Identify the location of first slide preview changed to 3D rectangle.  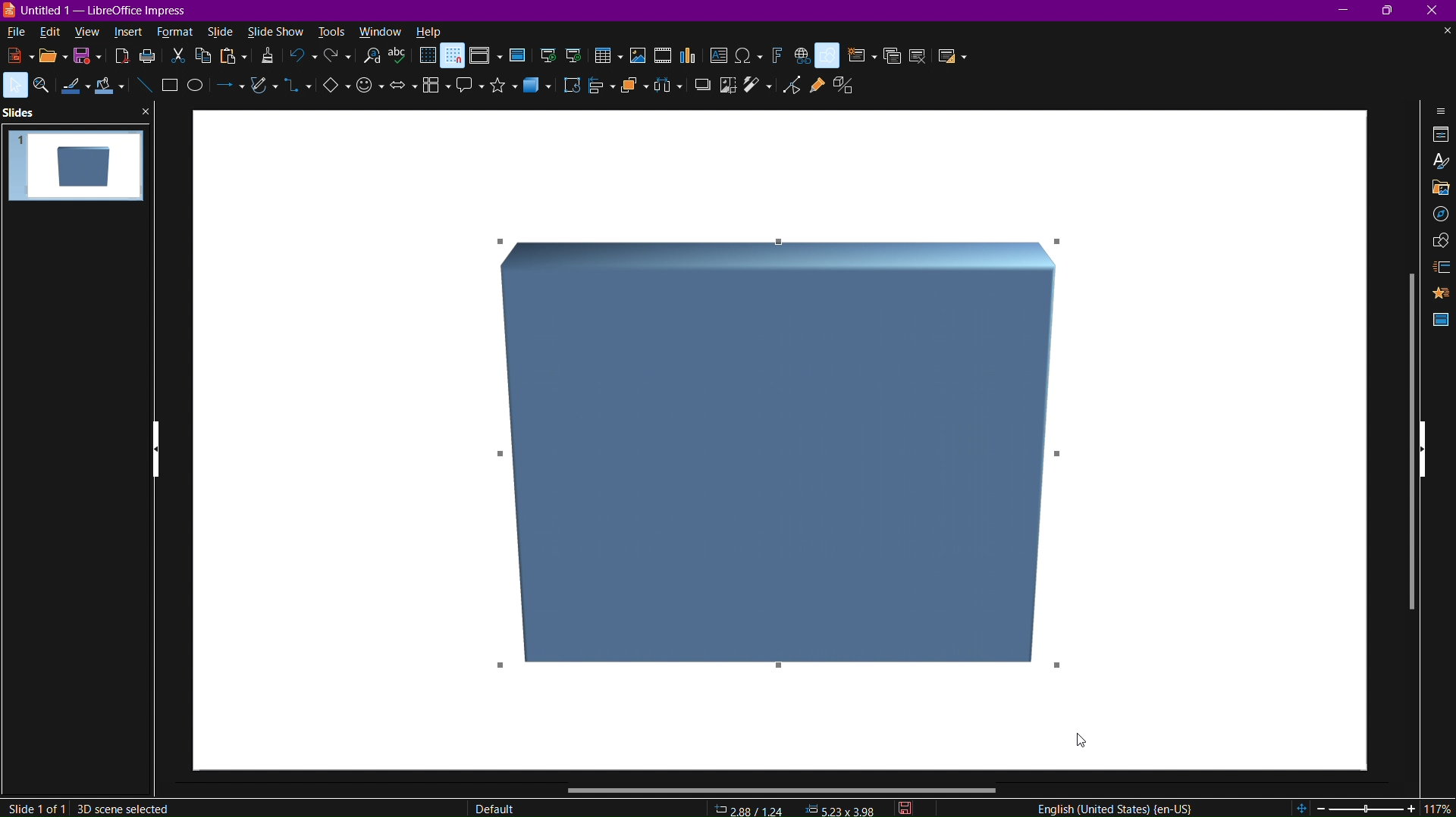
(75, 165).